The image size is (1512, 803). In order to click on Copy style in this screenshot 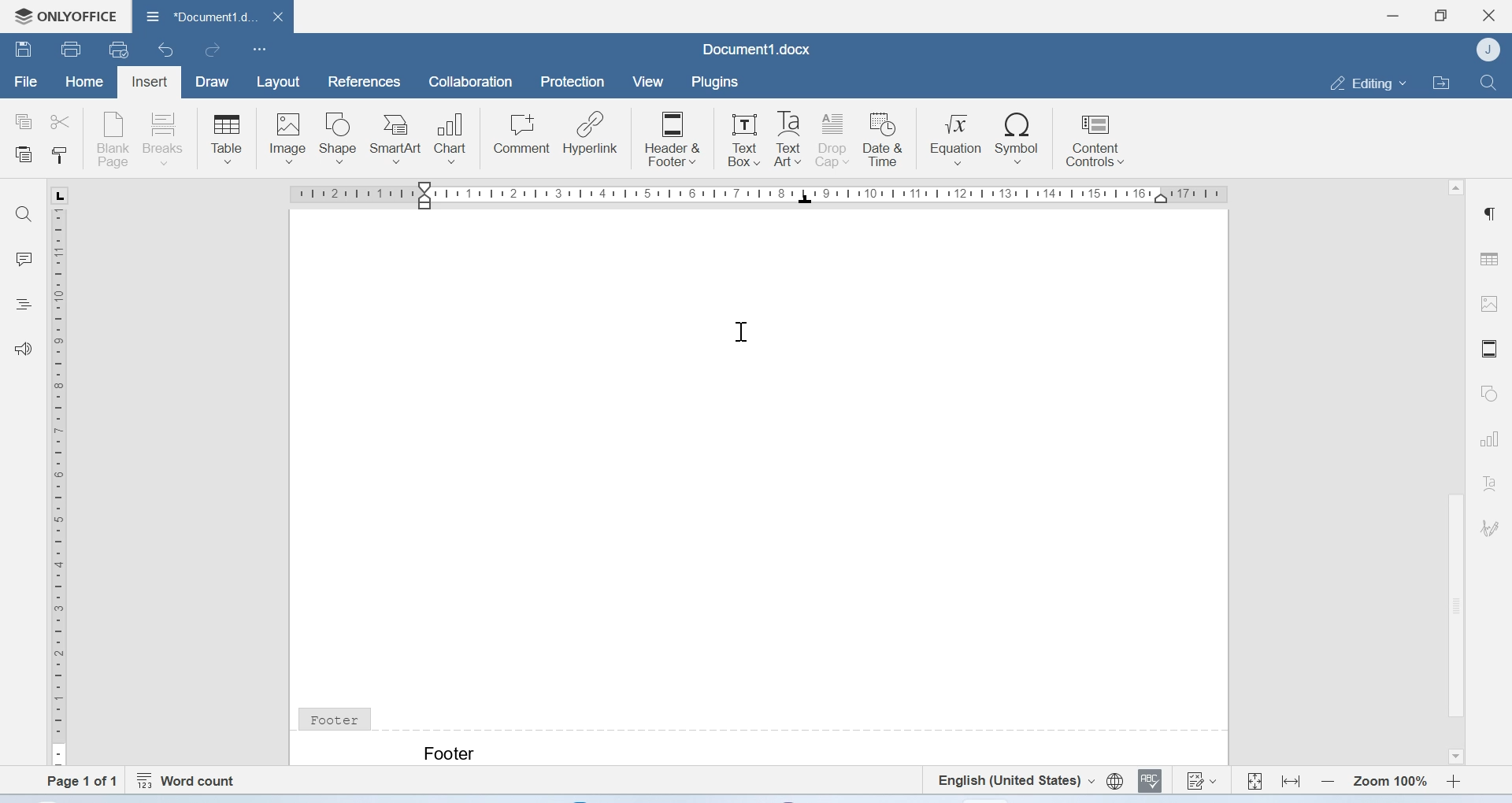, I will do `click(58, 157)`.